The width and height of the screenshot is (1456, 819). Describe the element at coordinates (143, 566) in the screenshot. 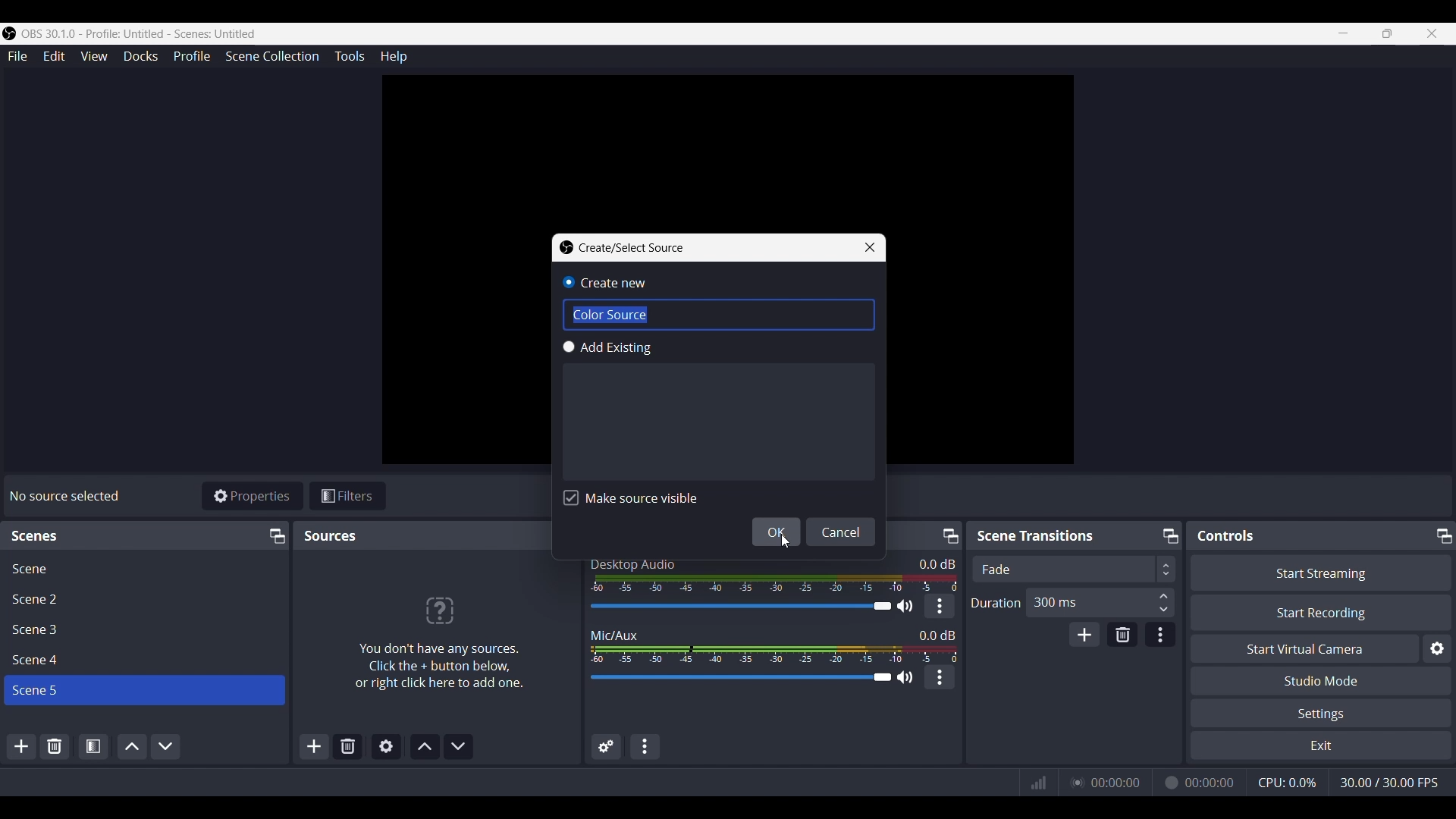

I see `Scene File` at that location.